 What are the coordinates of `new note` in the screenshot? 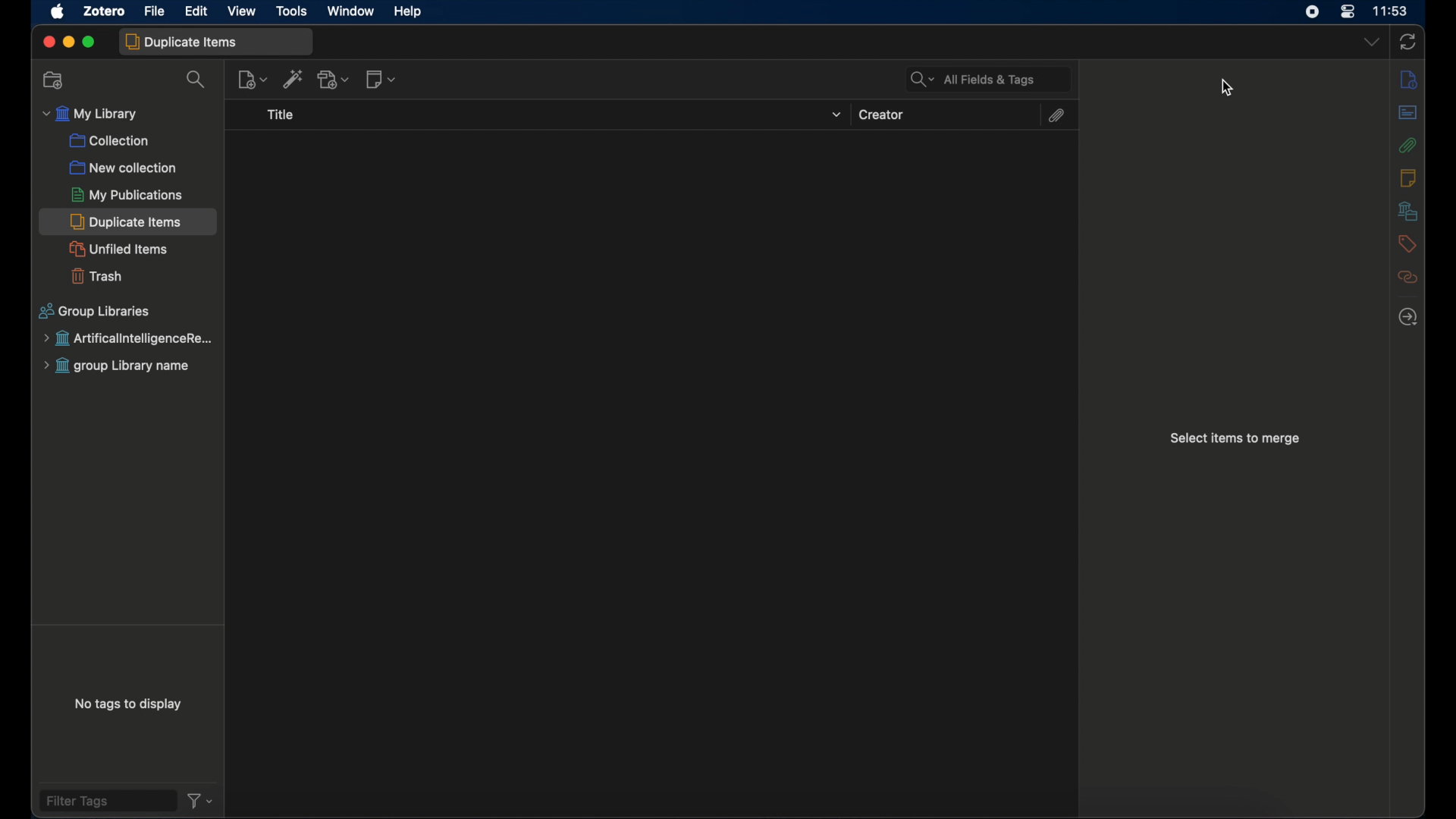 It's located at (381, 80).